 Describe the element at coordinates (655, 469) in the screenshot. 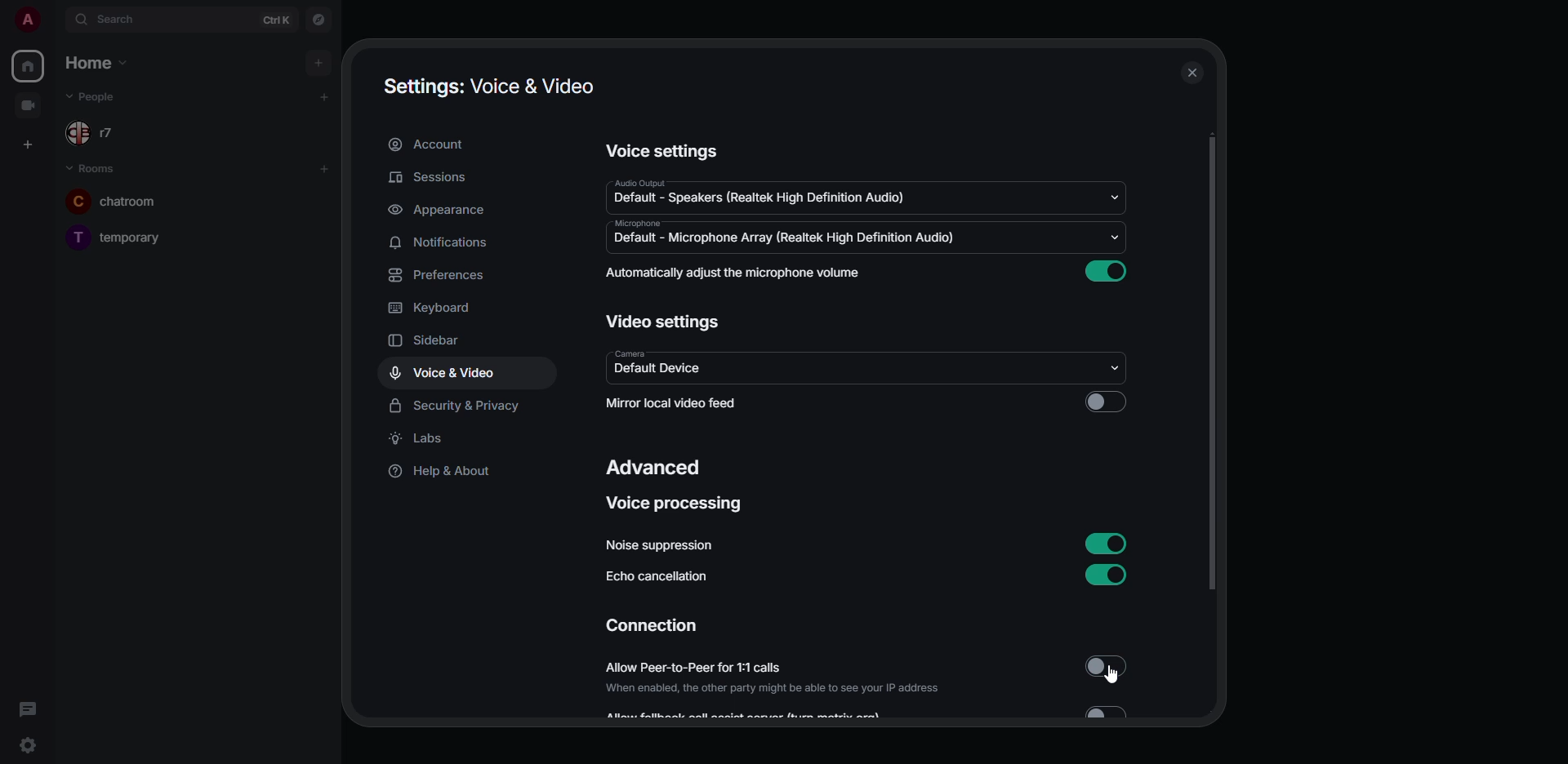

I see `advanced` at that location.